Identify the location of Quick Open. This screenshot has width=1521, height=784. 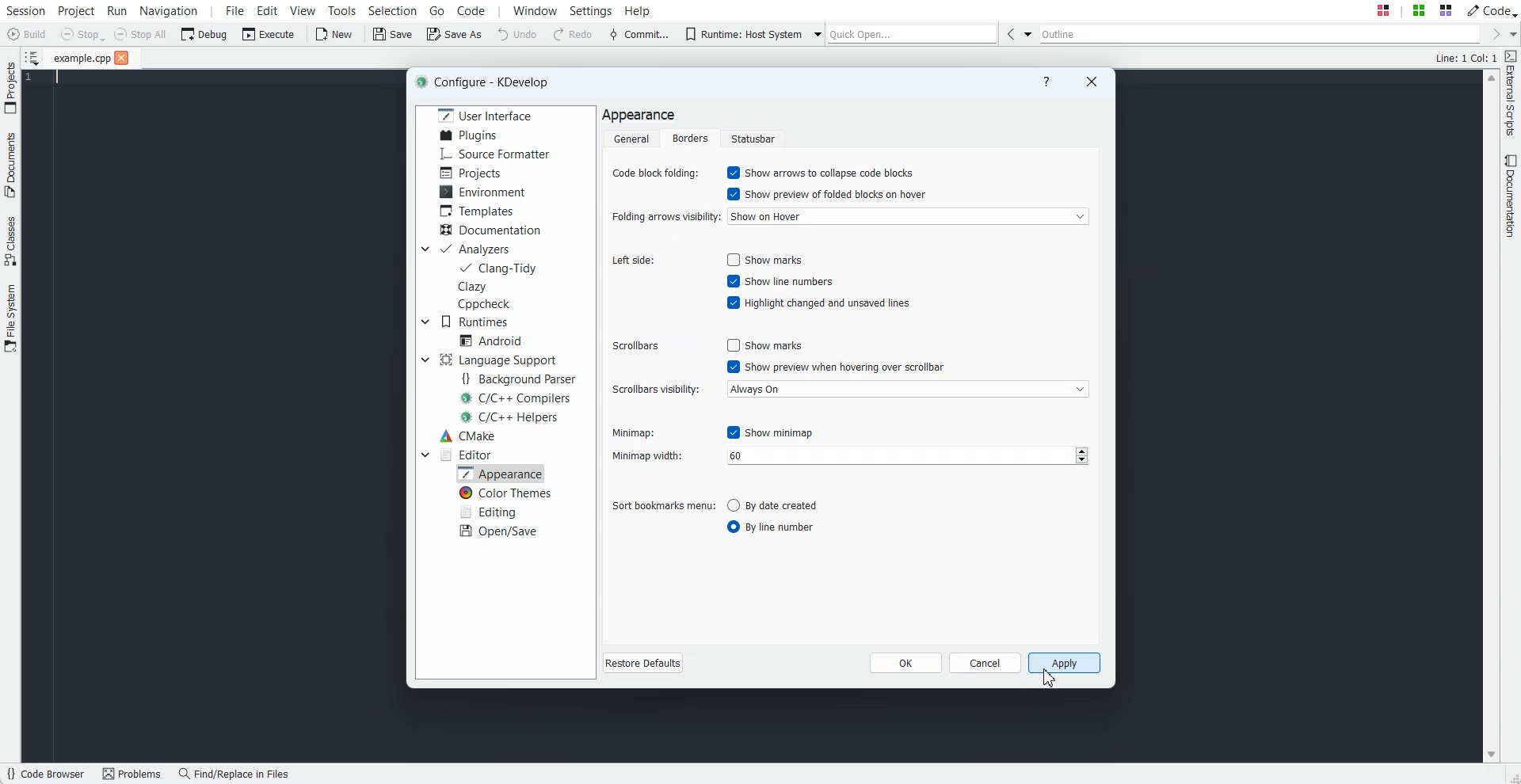
(913, 33).